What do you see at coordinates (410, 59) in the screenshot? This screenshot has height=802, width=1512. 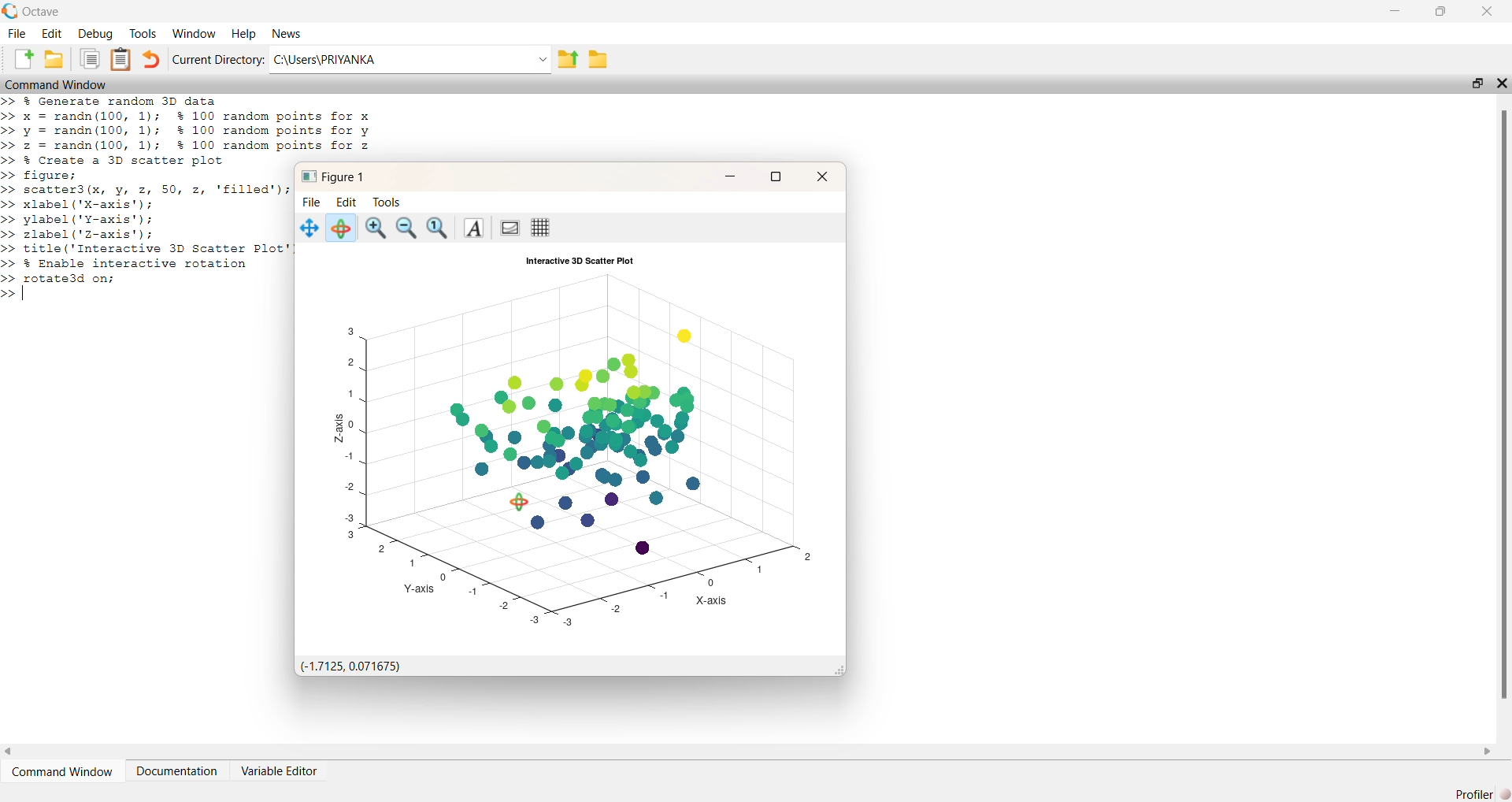 I see `C:\Users\PRIYANKA` at bounding box center [410, 59].